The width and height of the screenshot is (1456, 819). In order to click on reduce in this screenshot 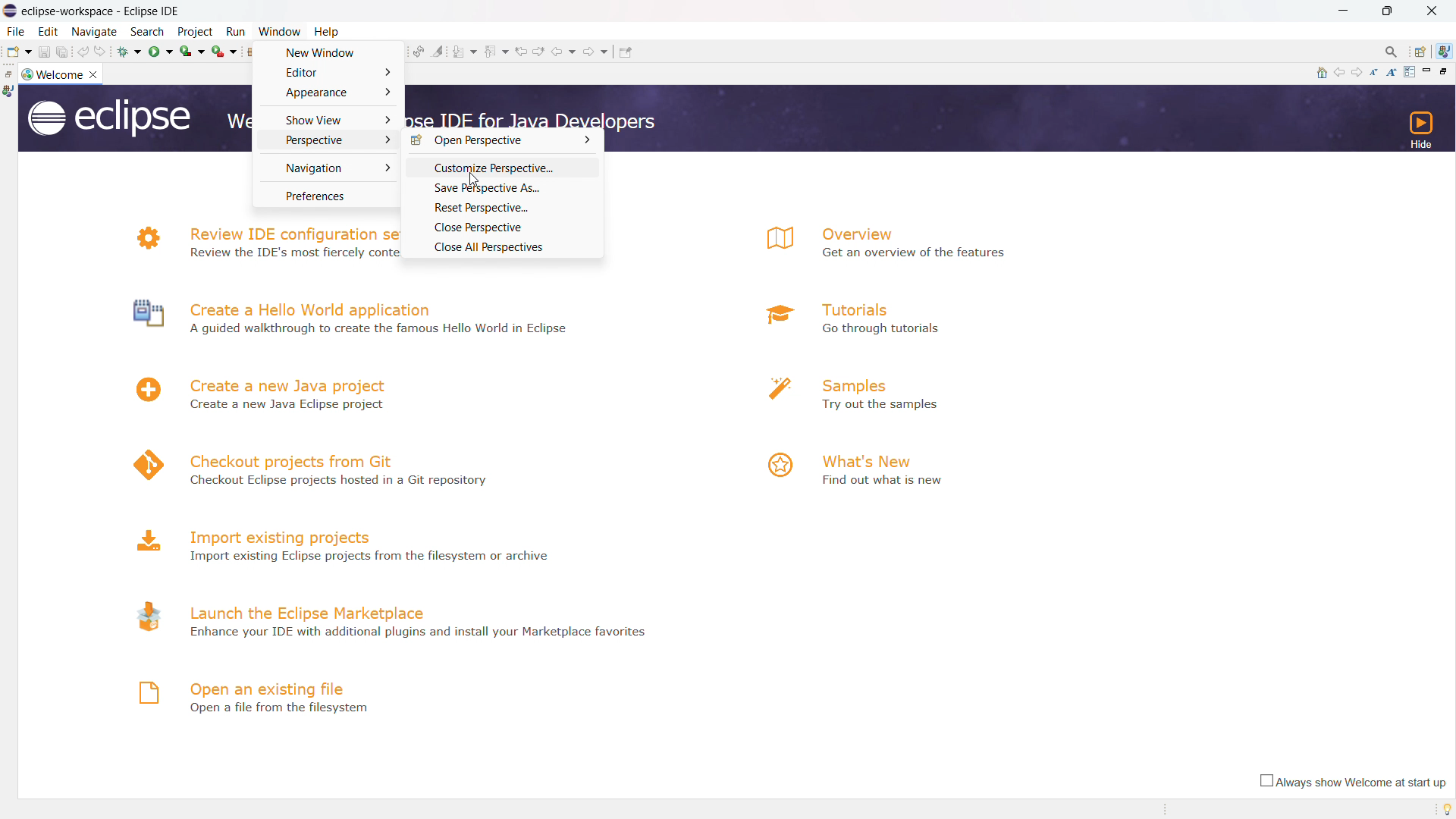, I will do `click(1376, 72)`.